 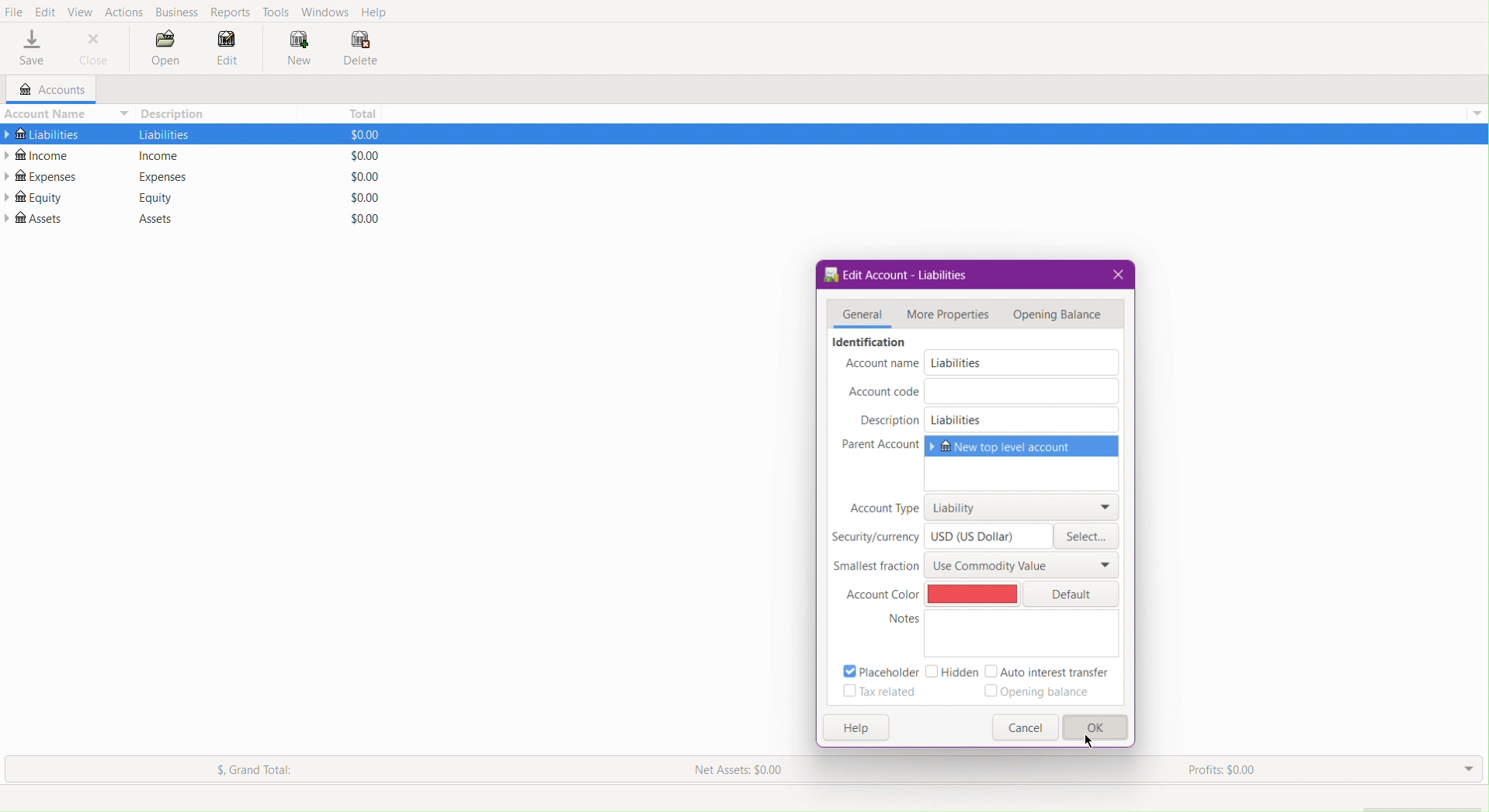 What do you see at coordinates (360, 197) in the screenshot?
I see `$0.00` at bounding box center [360, 197].